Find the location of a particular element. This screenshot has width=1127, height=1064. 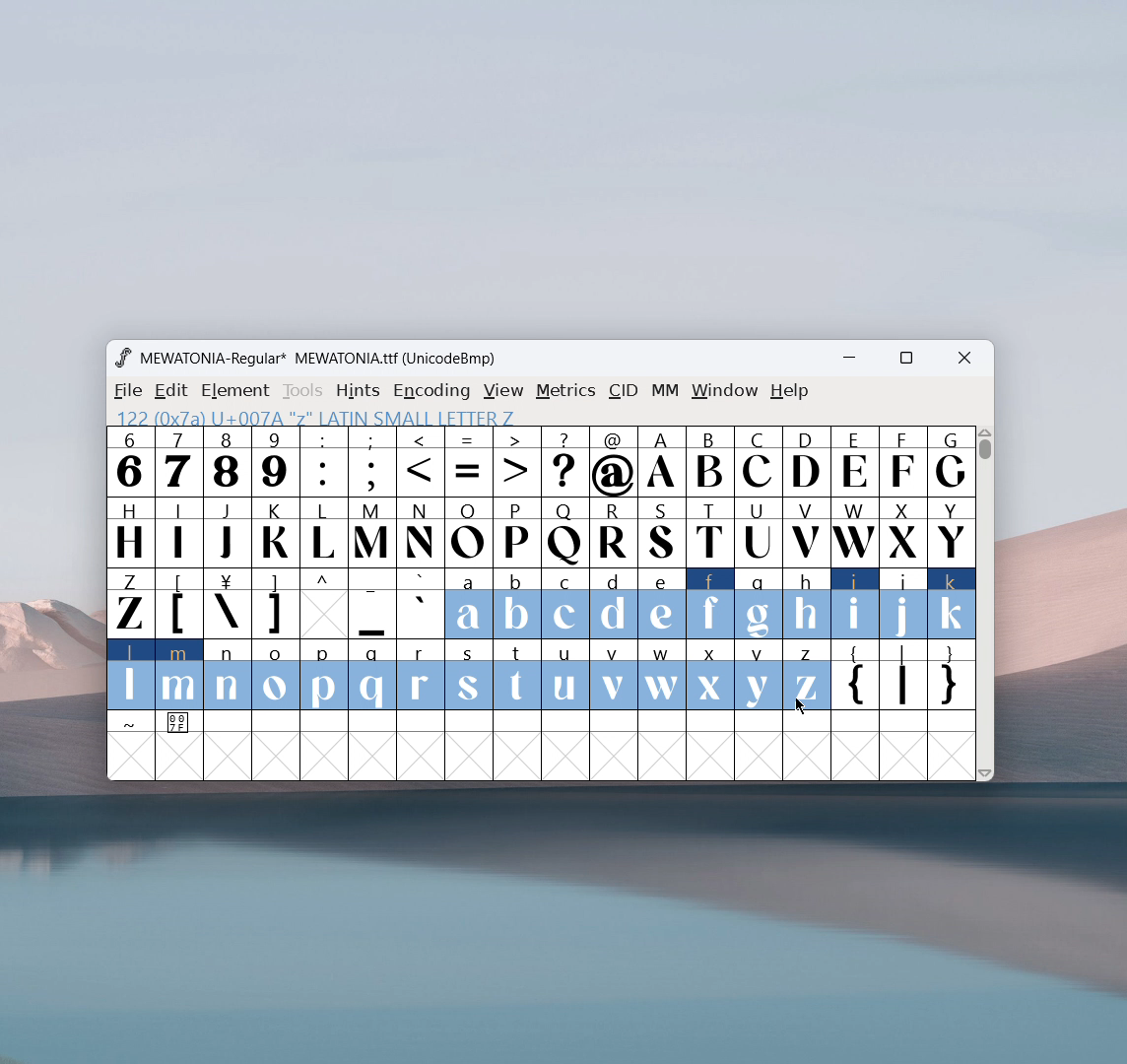

C is located at coordinates (757, 461).